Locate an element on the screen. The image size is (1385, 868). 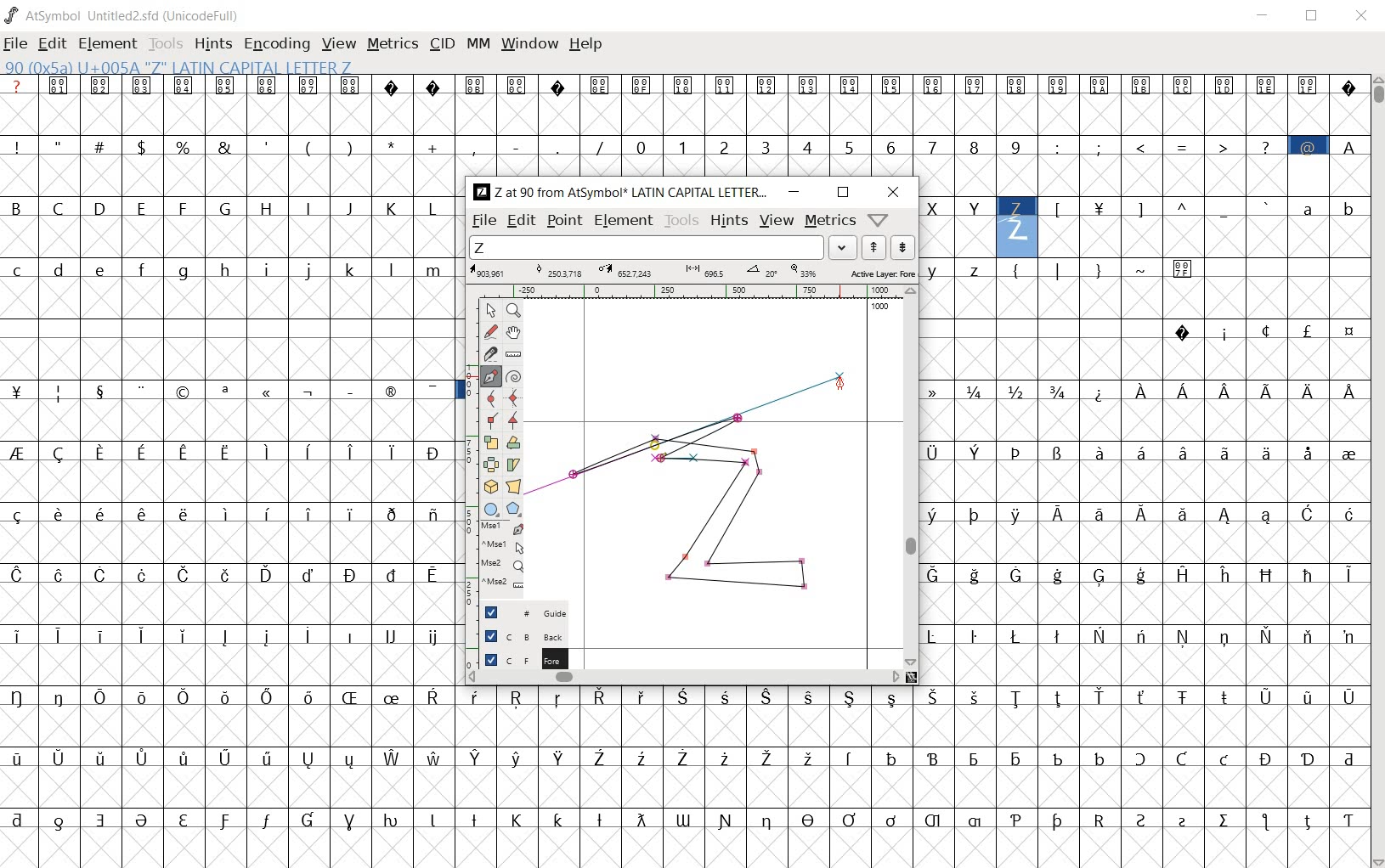
add a curve point always either horizontal or vertical is located at coordinates (513, 397).